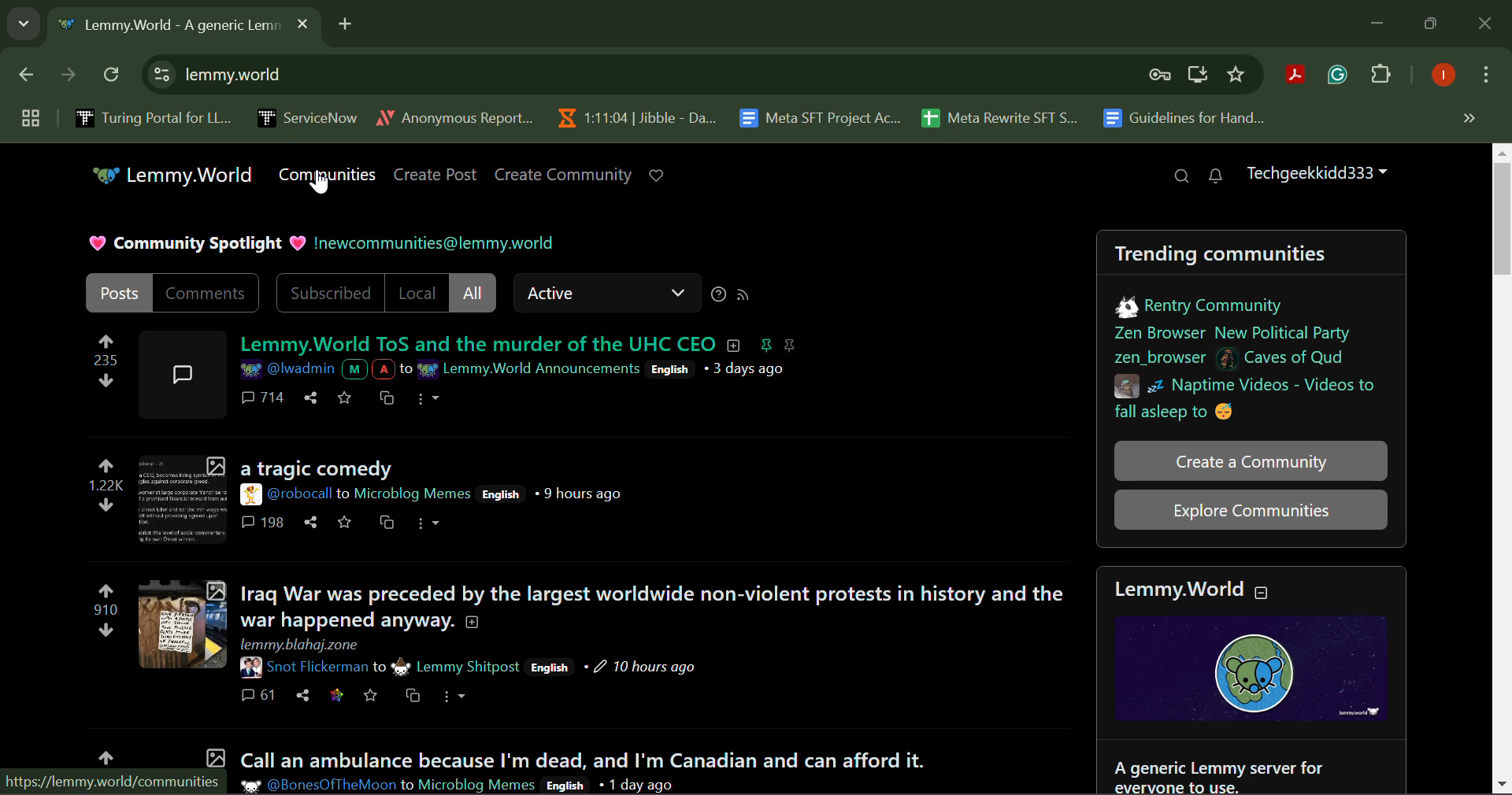 This screenshot has height=795, width=1512. Describe the element at coordinates (1252, 460) in the screenshot. I see `Create a Community` at that location.